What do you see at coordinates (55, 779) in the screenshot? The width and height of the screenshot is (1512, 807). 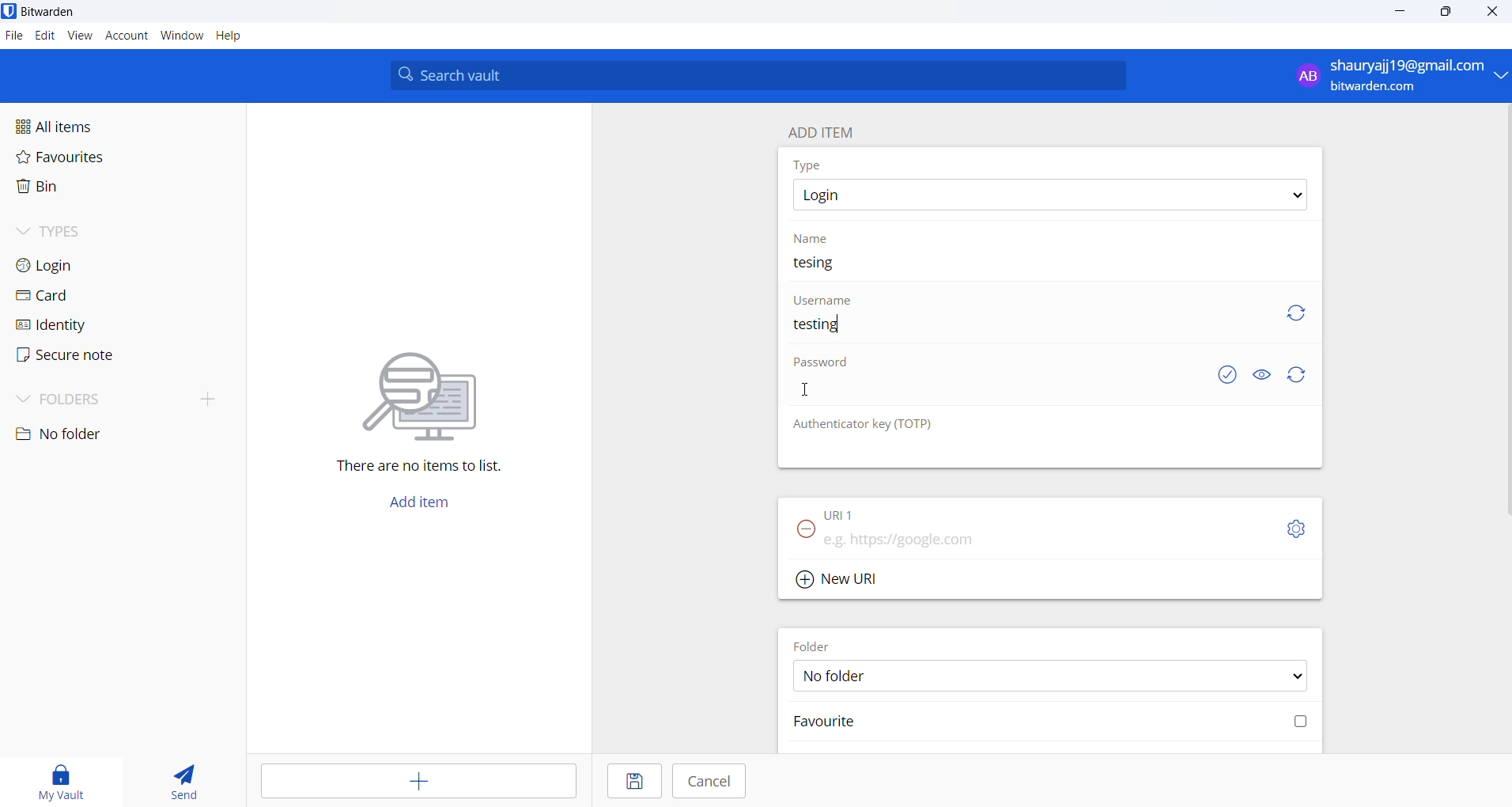 I see `my vault` at bounding box center [55, 779].